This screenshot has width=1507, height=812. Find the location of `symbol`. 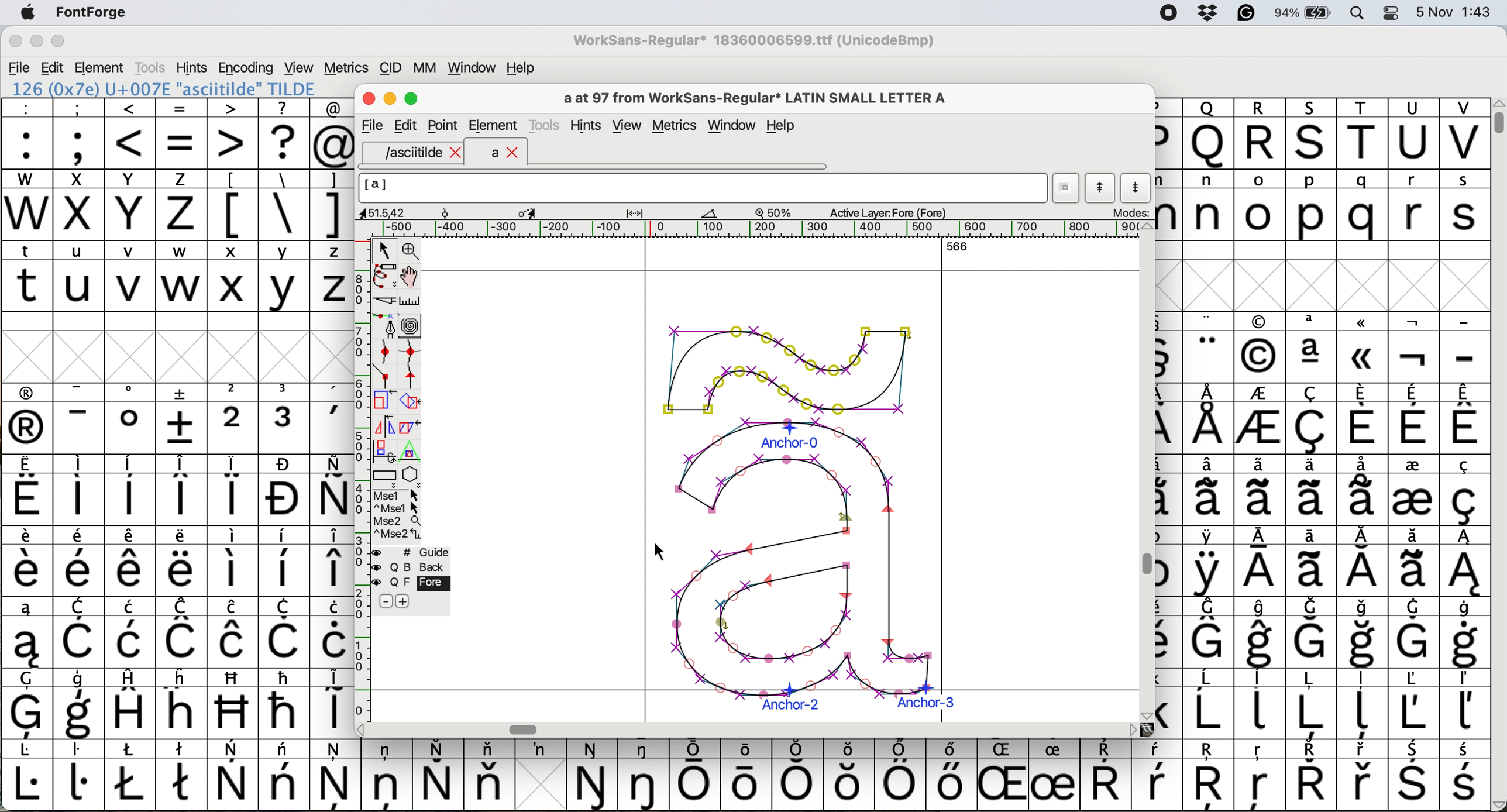

symbol is located at coordinates (1209, 348).